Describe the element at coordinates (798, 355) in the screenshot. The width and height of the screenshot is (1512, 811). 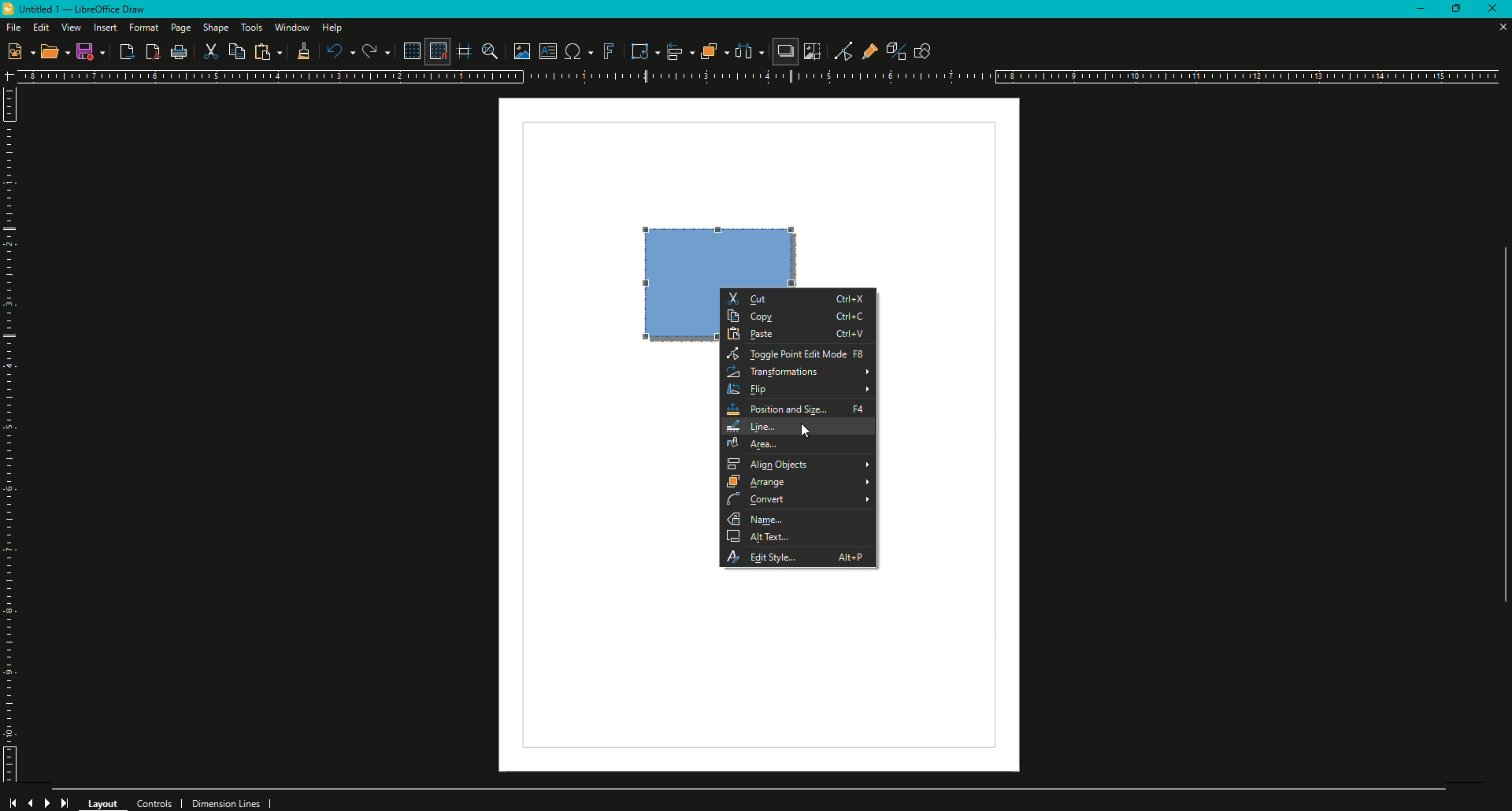
I see `Toggle Point Edit Mode` at that location.